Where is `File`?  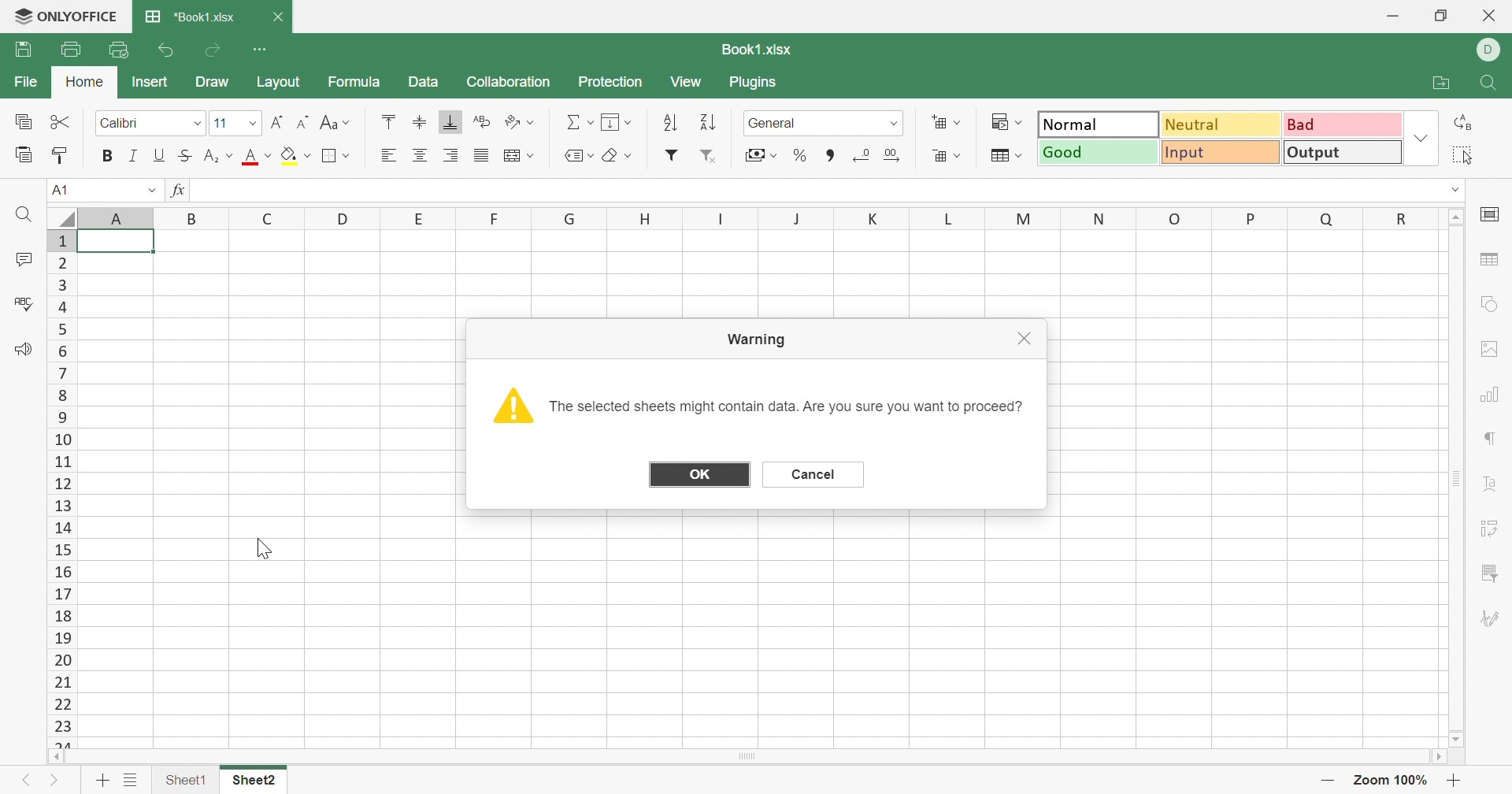 File is located at coordinates (24, 50).